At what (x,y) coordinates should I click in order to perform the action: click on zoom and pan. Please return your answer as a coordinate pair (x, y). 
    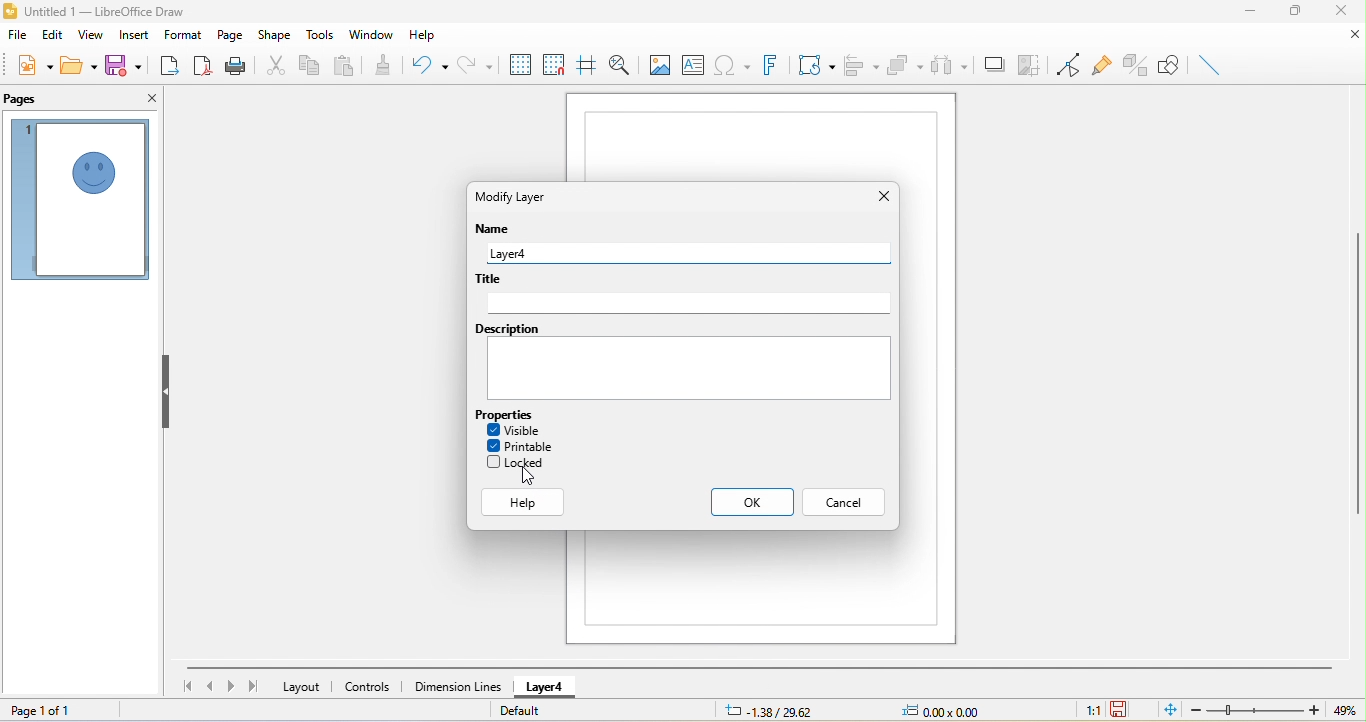
    Looking at the image, I should click on (622, 64).